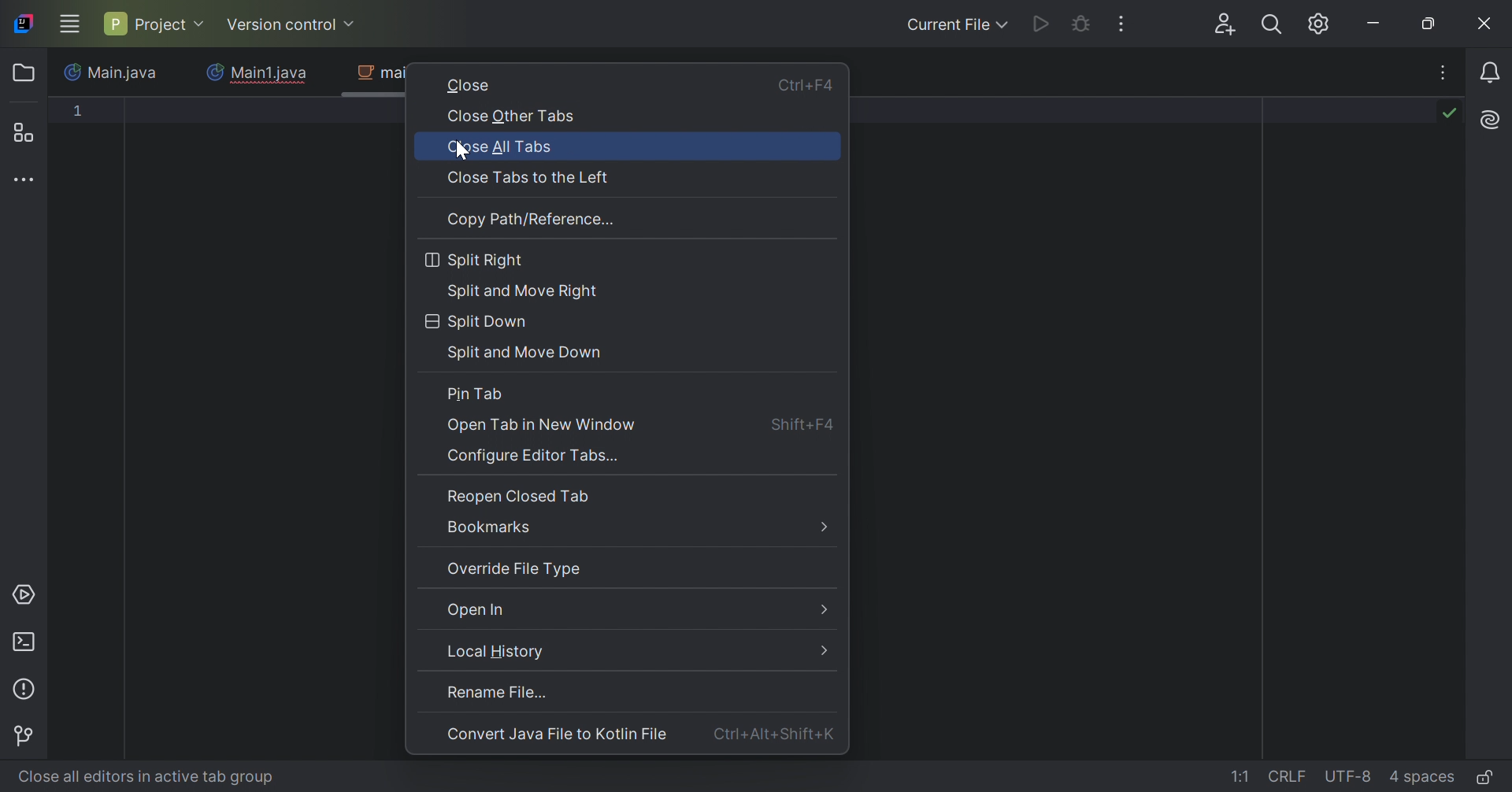  Describe the element at coordinates (172, 775) in the screenshot. I see `Close all editors in active tab group` at that location.